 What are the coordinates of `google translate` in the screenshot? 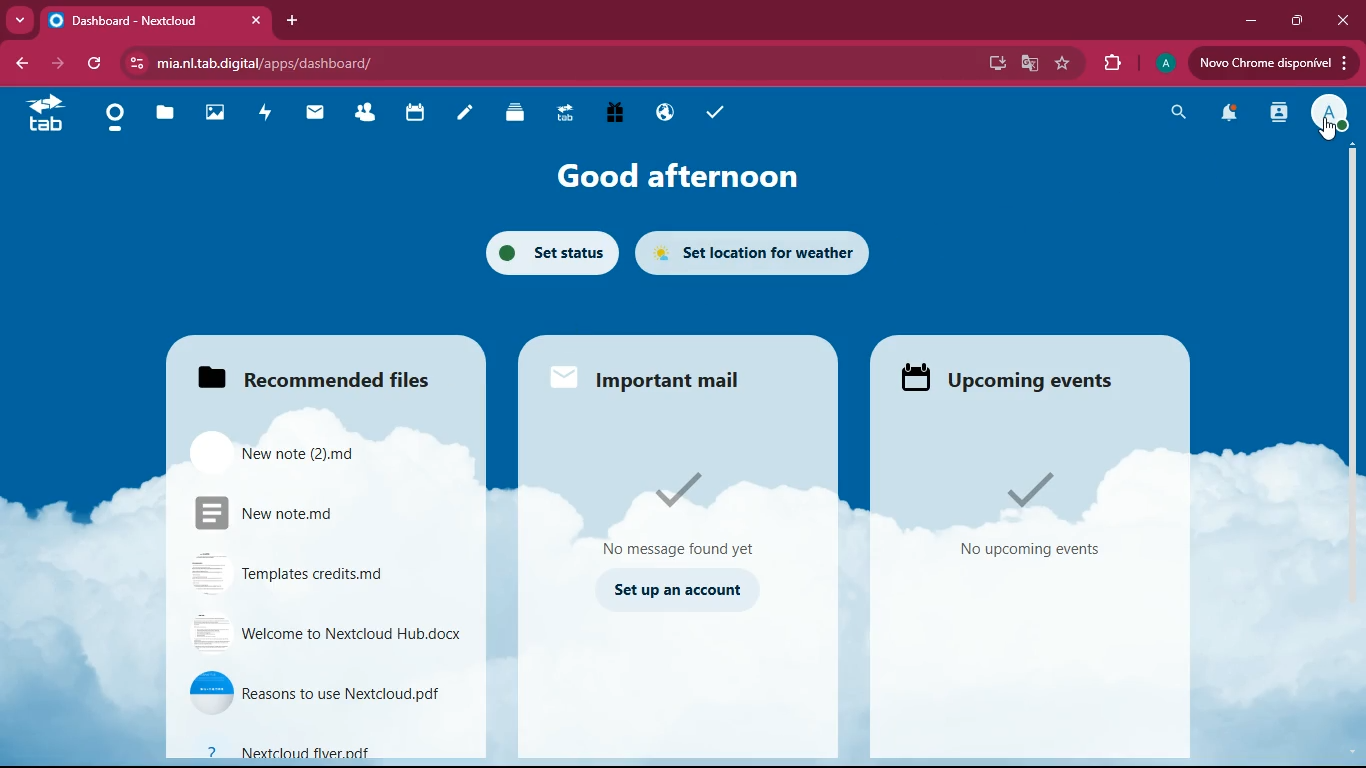 It's located at (1027, 64).